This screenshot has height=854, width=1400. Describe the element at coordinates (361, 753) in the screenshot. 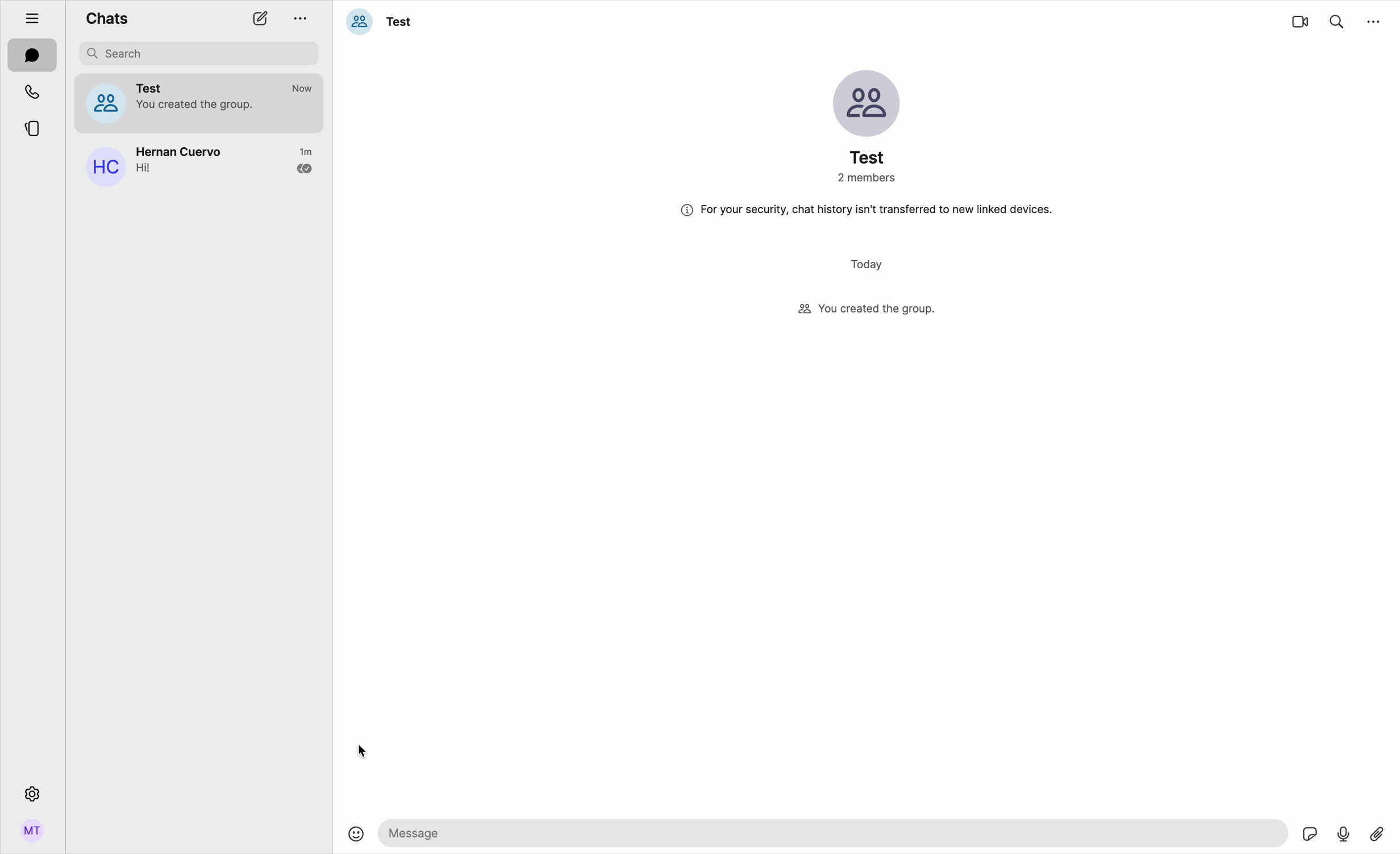

I see `cursor` at that location.